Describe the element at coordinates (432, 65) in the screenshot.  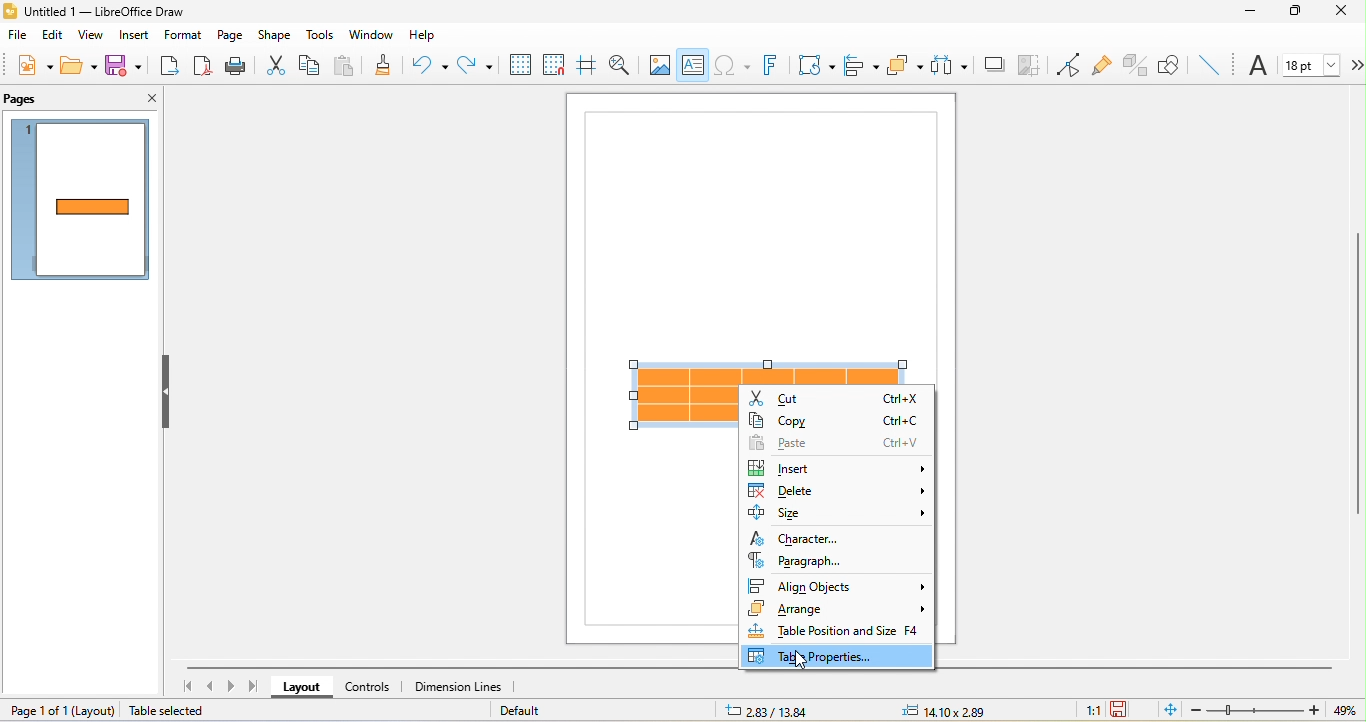
I see `undo` at that location.